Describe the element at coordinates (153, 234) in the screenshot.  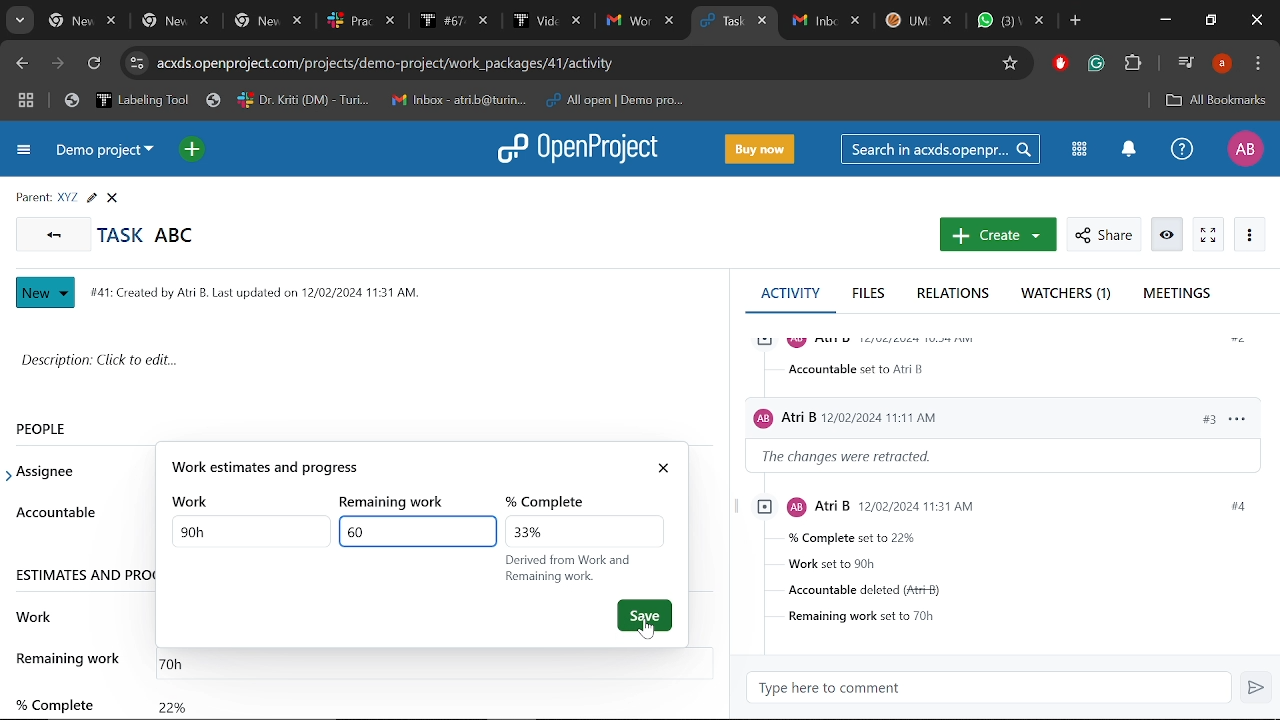
I see `Current task name` at that location.